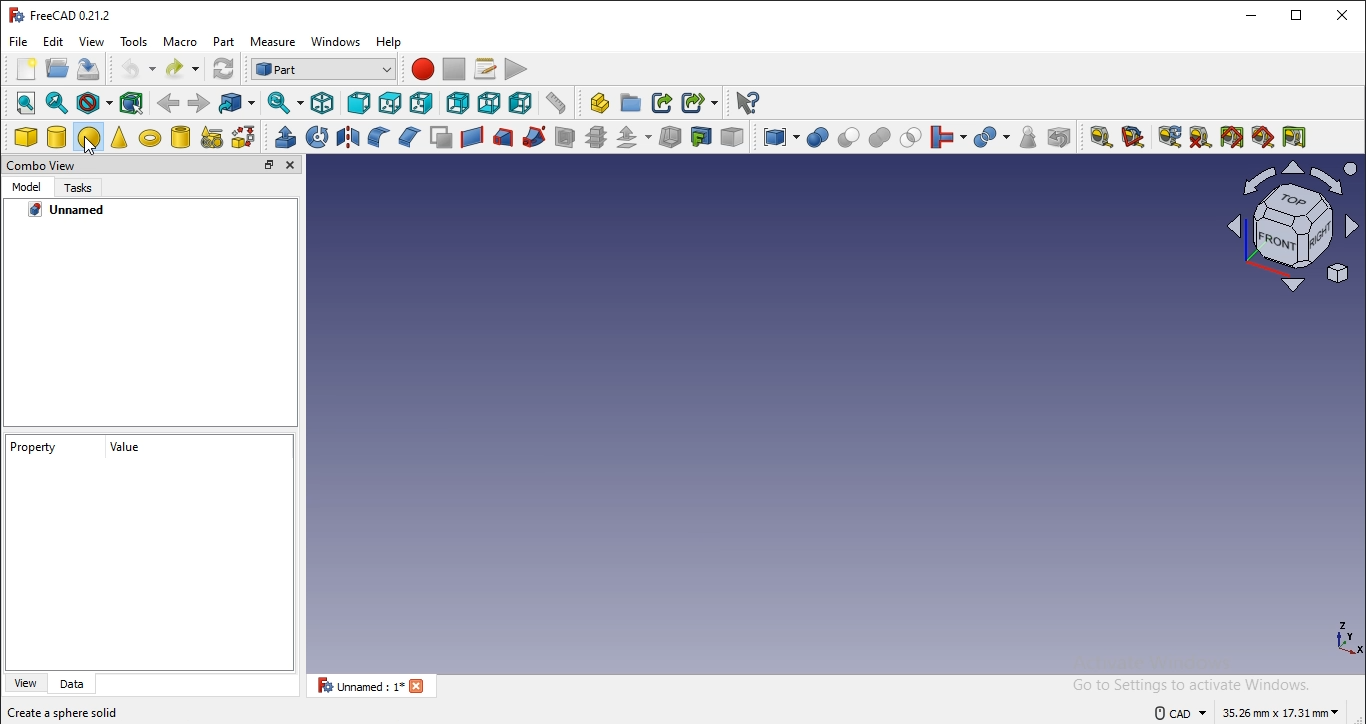  Describe the element at coordinates (488, 103) in the screenshot. I see `bottom` at that location.